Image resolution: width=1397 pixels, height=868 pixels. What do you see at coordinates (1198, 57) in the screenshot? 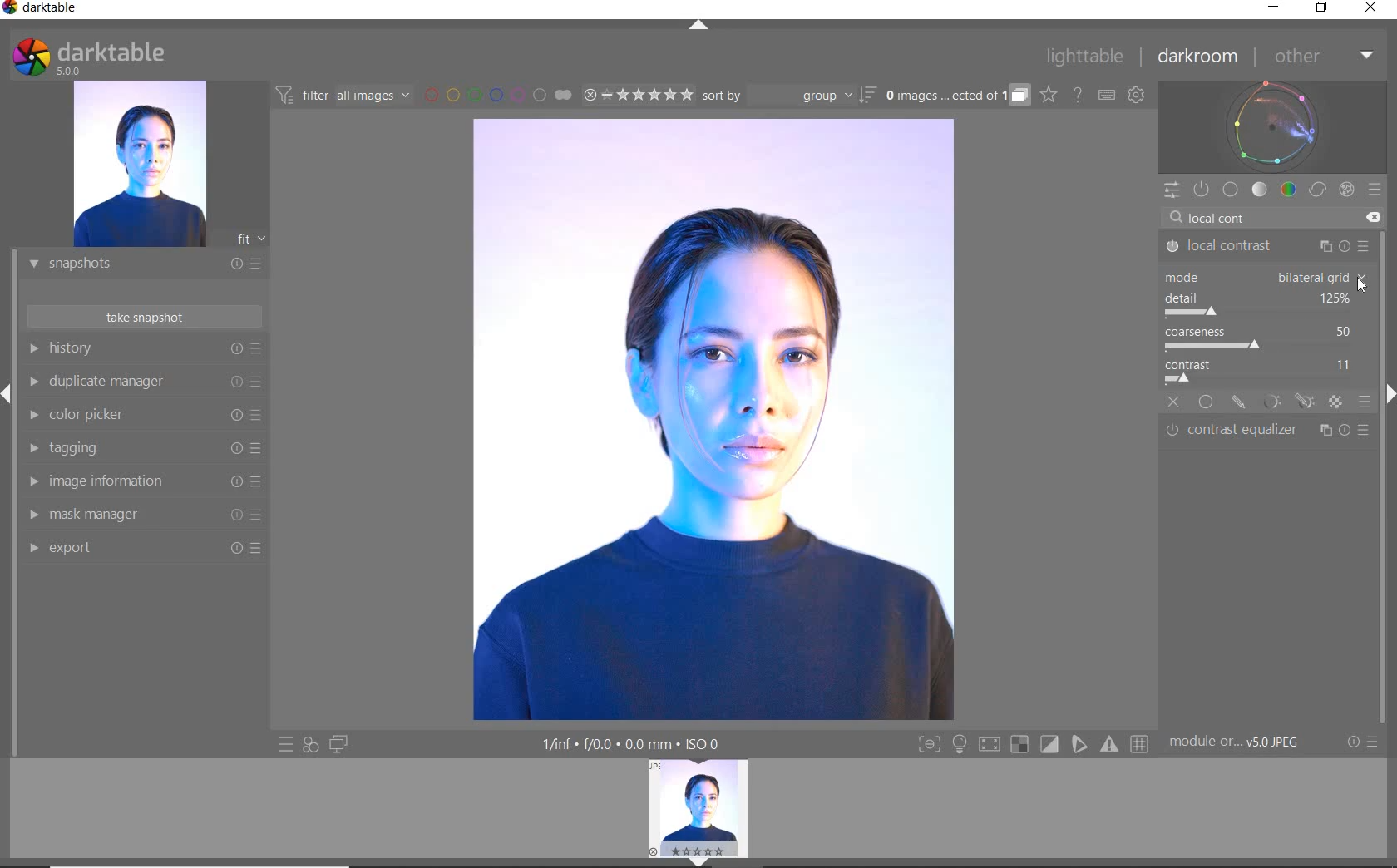
I see `DARKROOM` at bounding box center [1198, 57].